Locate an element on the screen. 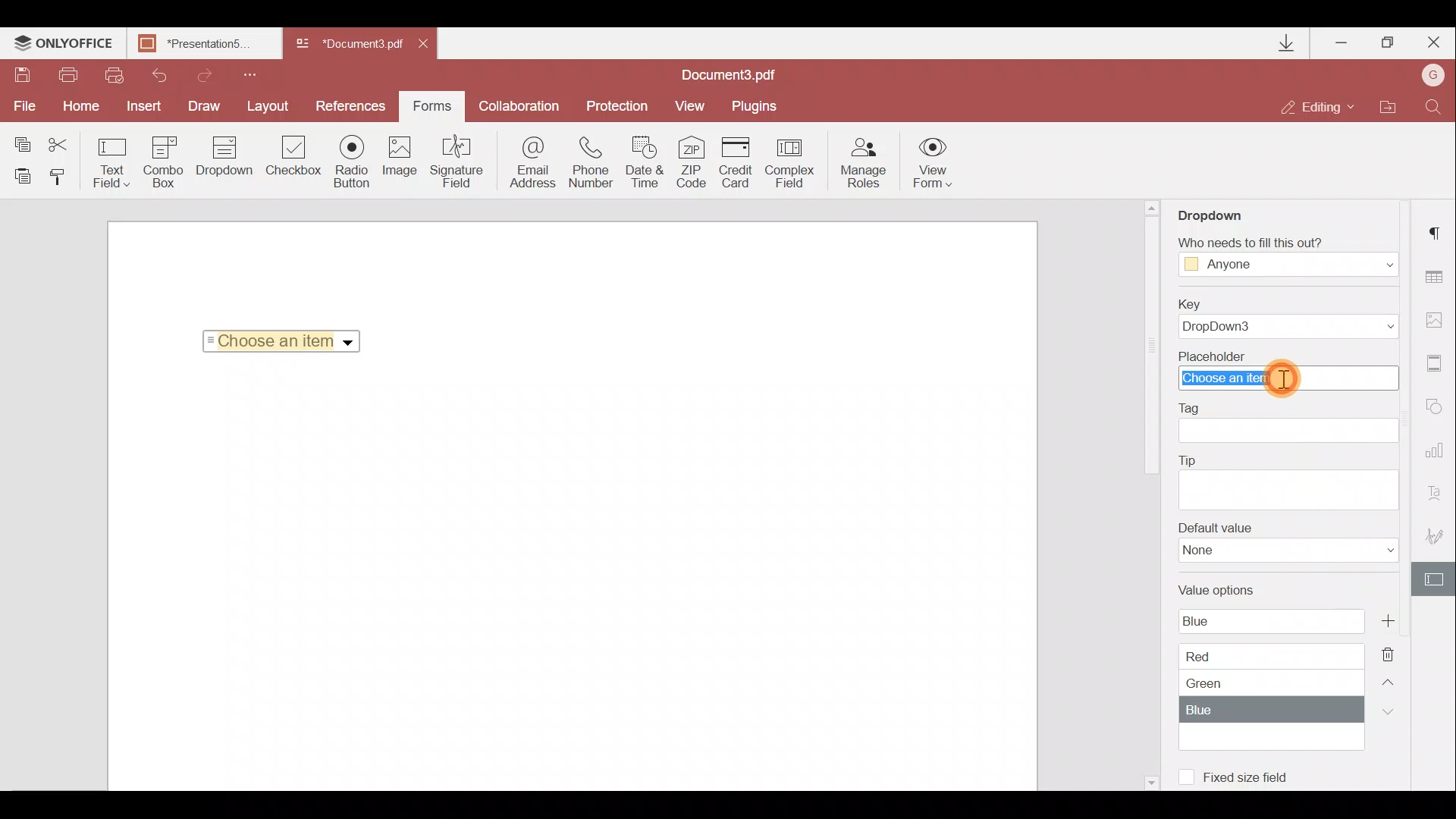 Image resolution: width=1456 pixels, height=819 pixels. Value options is located at coordinates (1269, 663).